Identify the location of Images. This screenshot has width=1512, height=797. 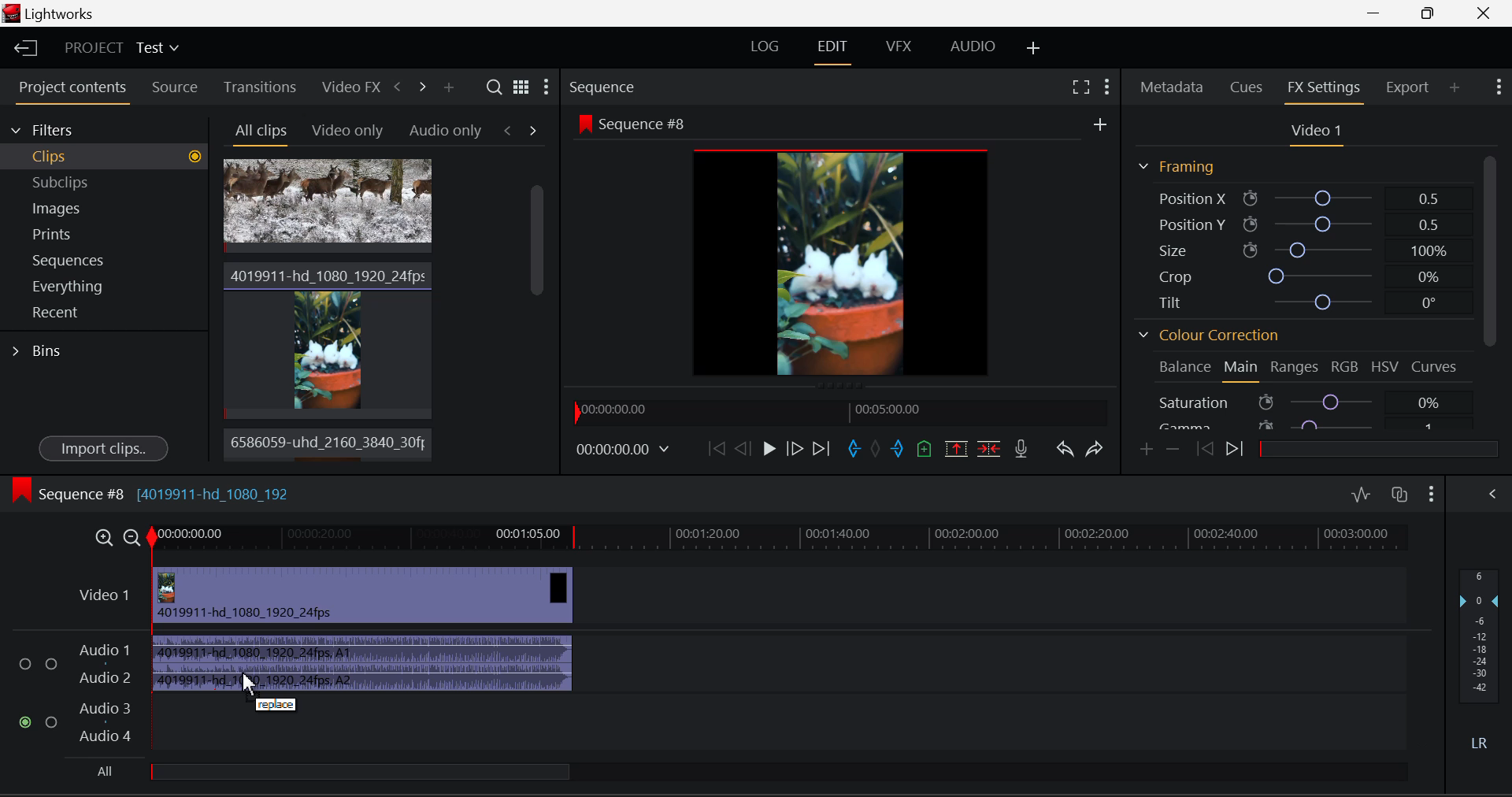
(104, 206).